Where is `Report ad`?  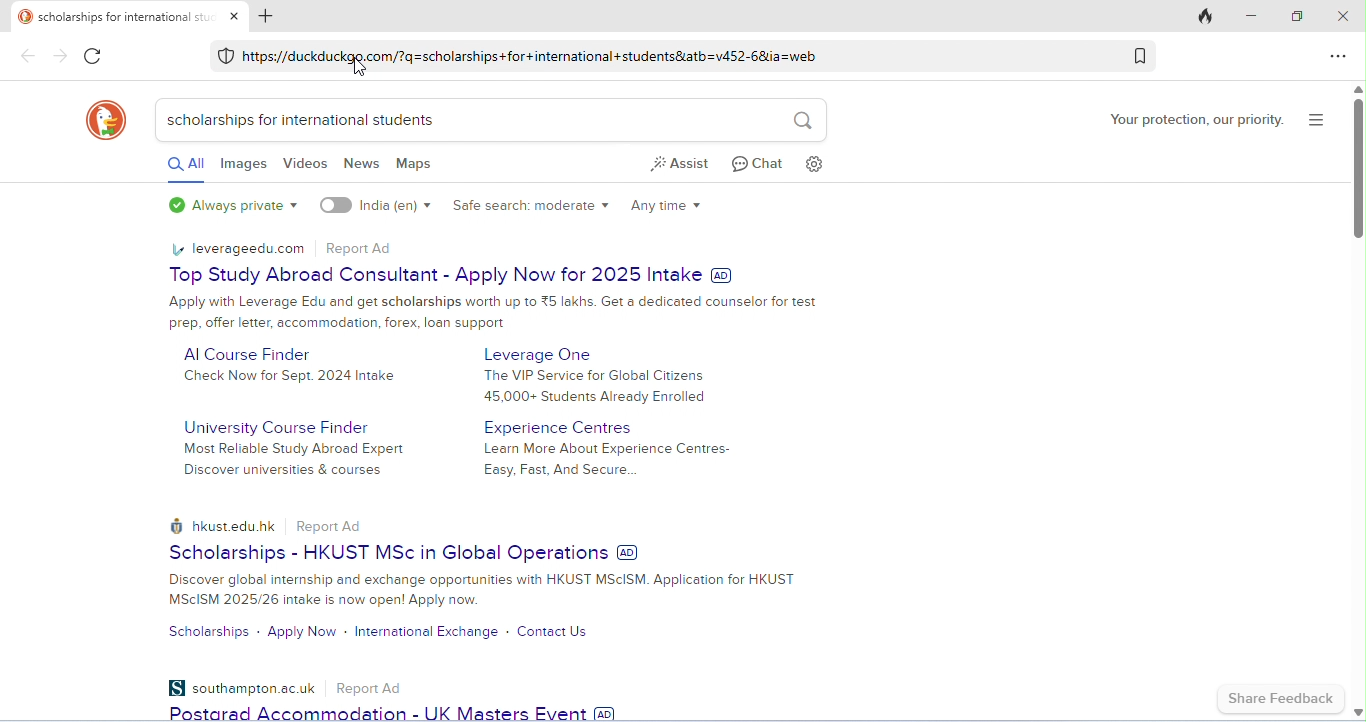
Report ad is located at coordinates (371, 687).